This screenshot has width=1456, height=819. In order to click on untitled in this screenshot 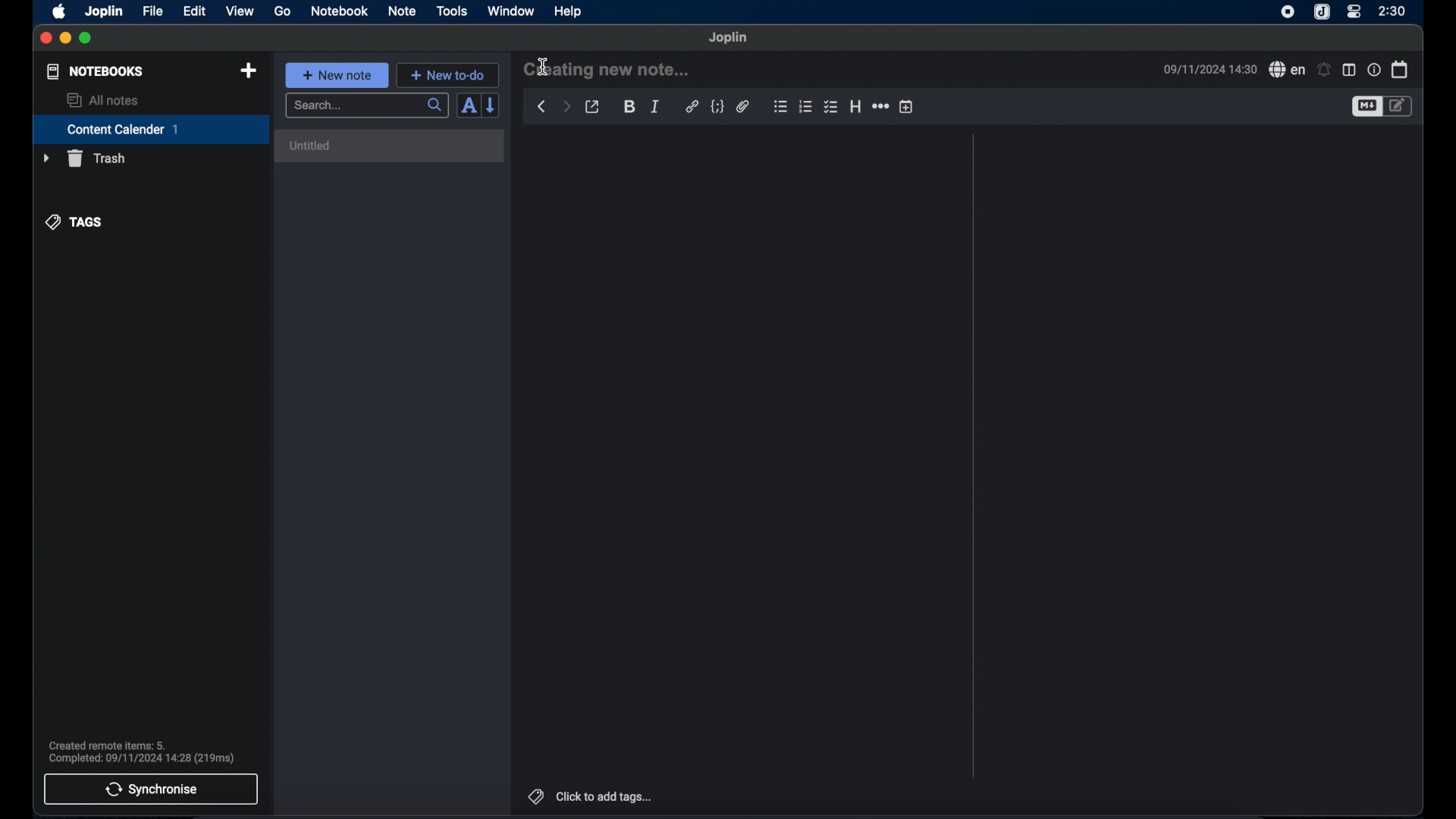, I will do `click(393, 146)`.